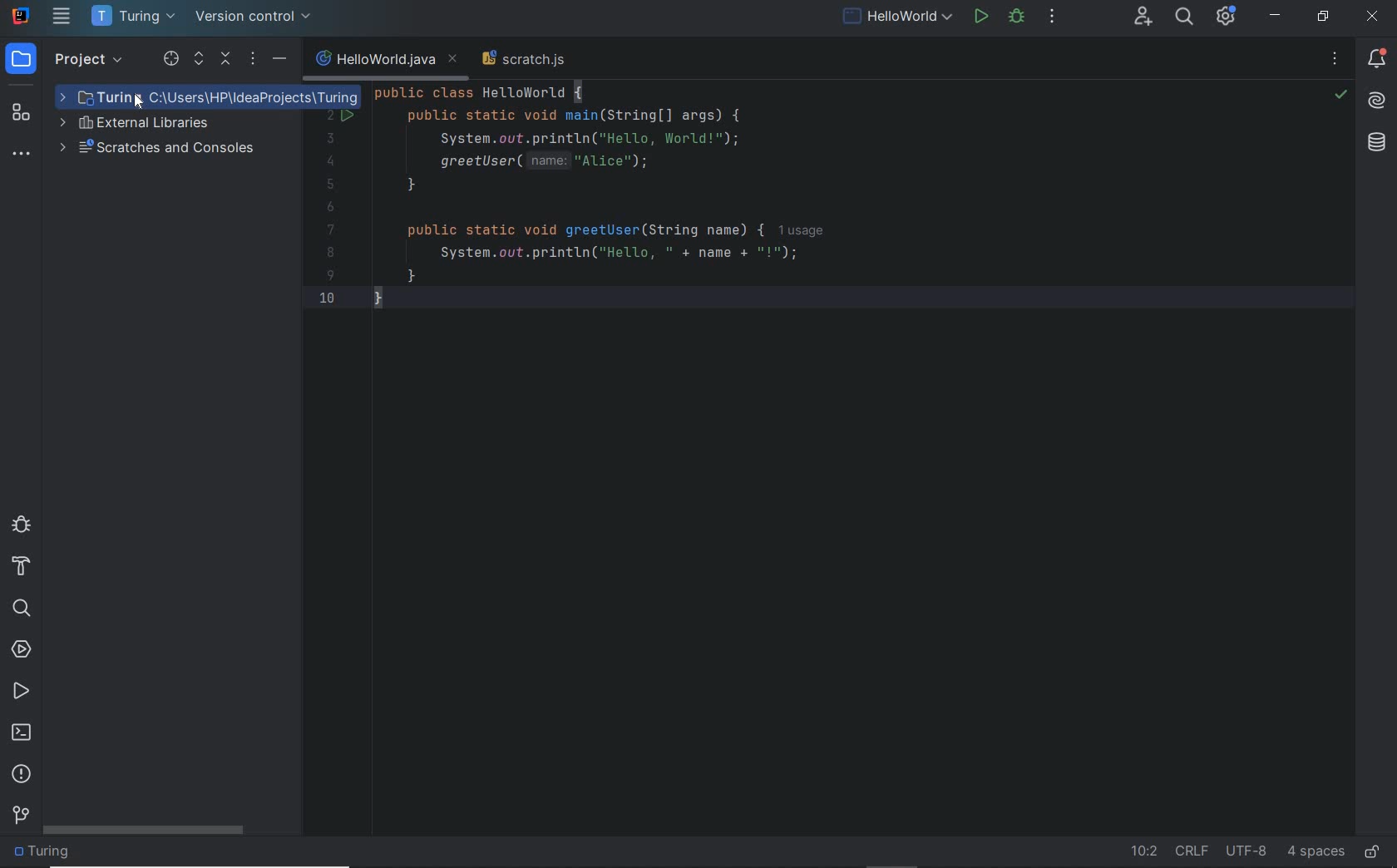 Image resolution: width=1397 pixels, height=868 pixels. What do you see at coordinates (1247, 851) in the screenshot?
I see `file encoding` at bounding box center [1247, 851].